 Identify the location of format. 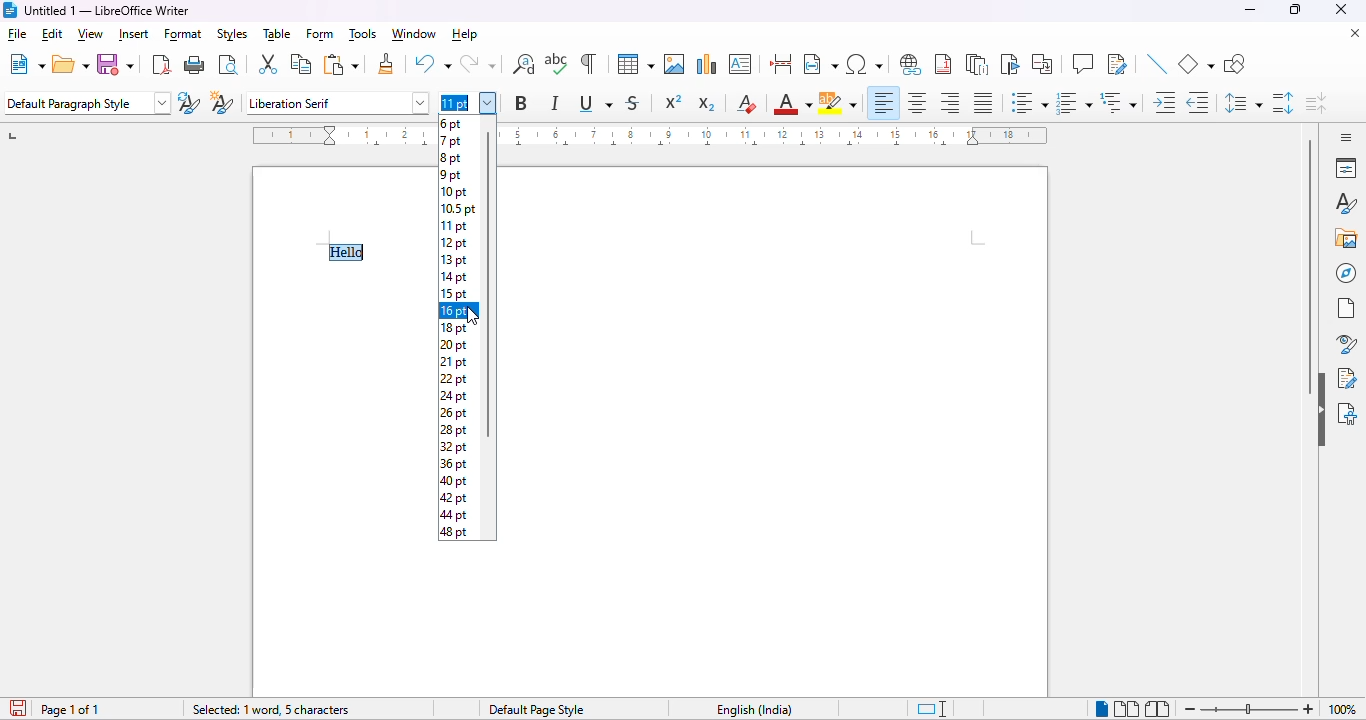
(184, 34).